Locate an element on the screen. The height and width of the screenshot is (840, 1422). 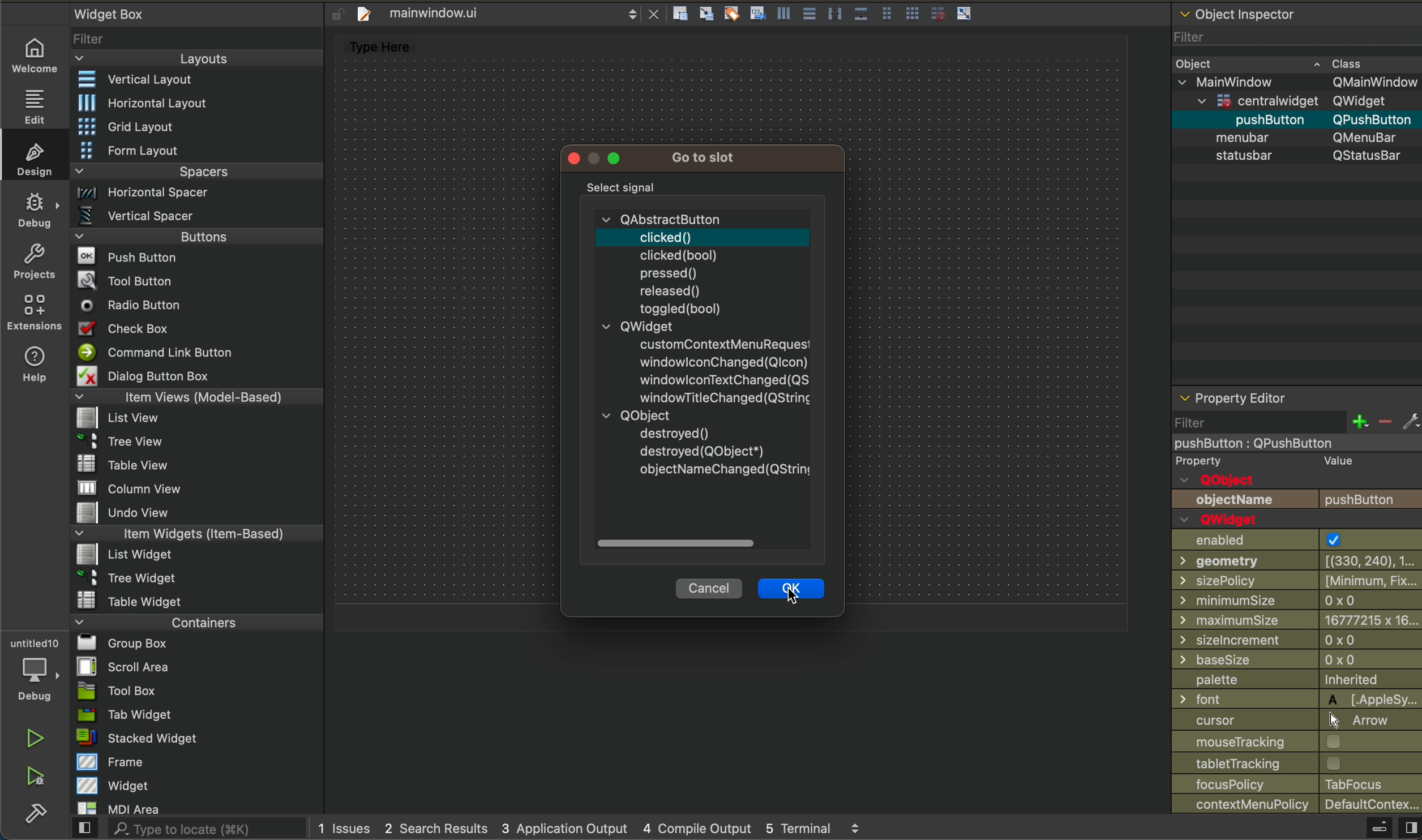
Object Inspector is located at coordinates (1241, 12).